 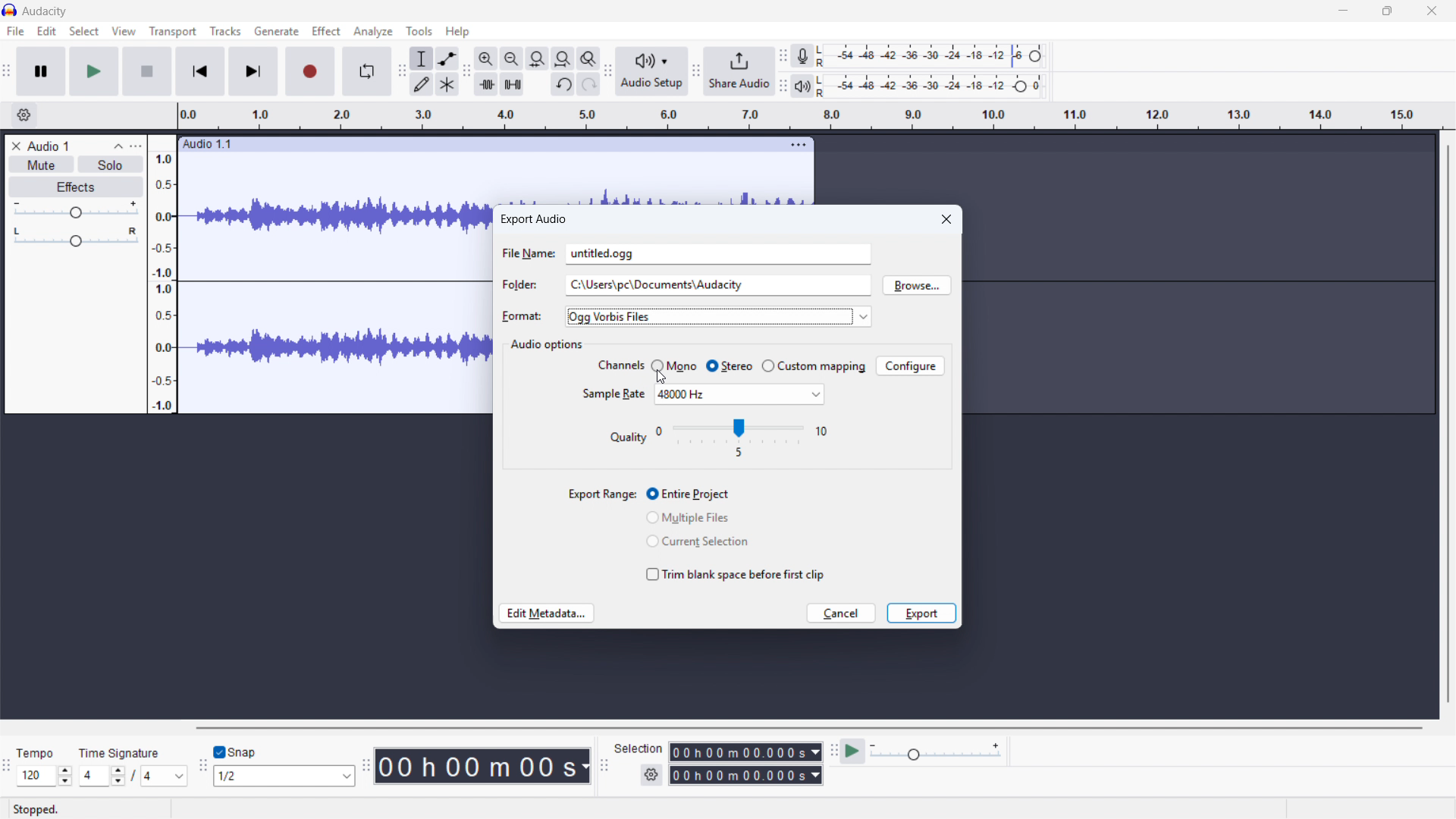 What do you see at coordinates (227, 30) in the screenshot?
I see `Tracks ` at bounding box center [227, 30].